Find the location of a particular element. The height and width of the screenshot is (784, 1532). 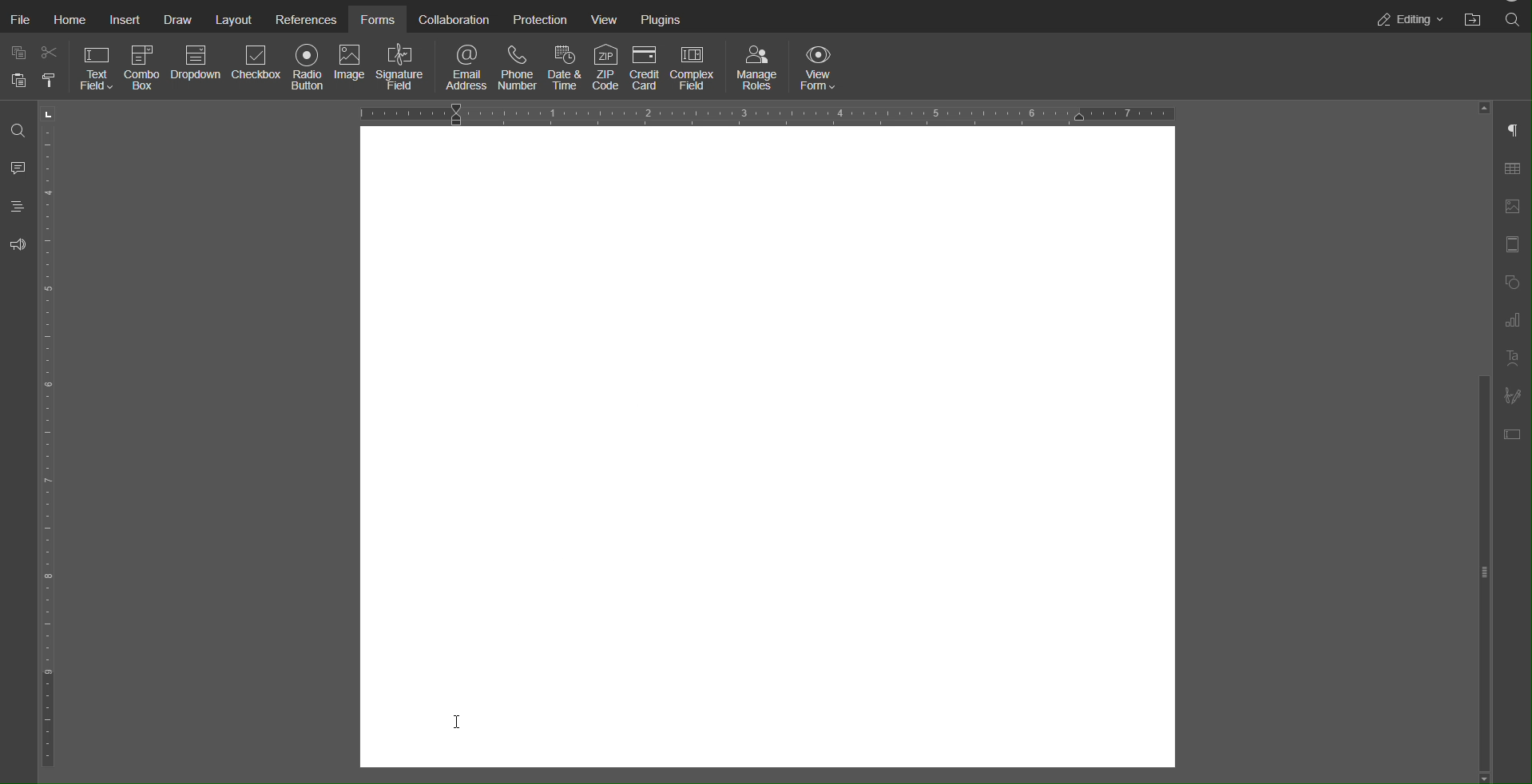

slider is located at coordinates (1478, 531).